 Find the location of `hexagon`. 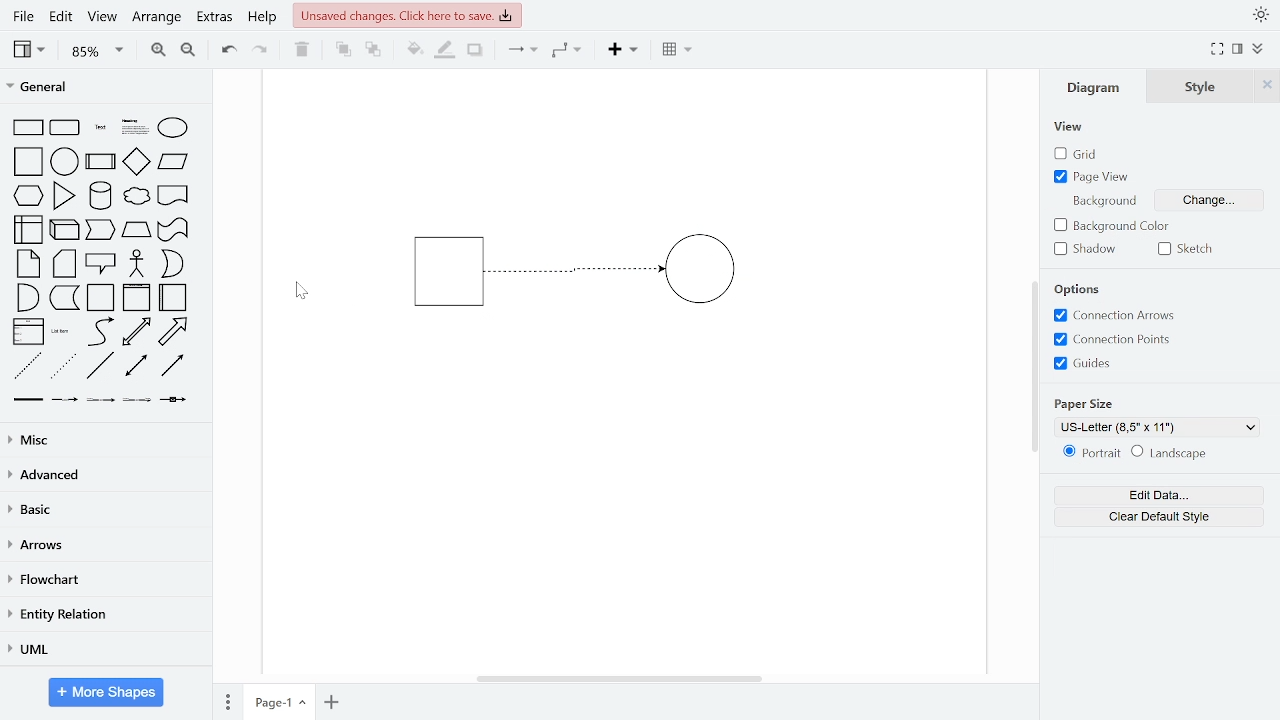

hexagon is located at coordinates (32, 197).